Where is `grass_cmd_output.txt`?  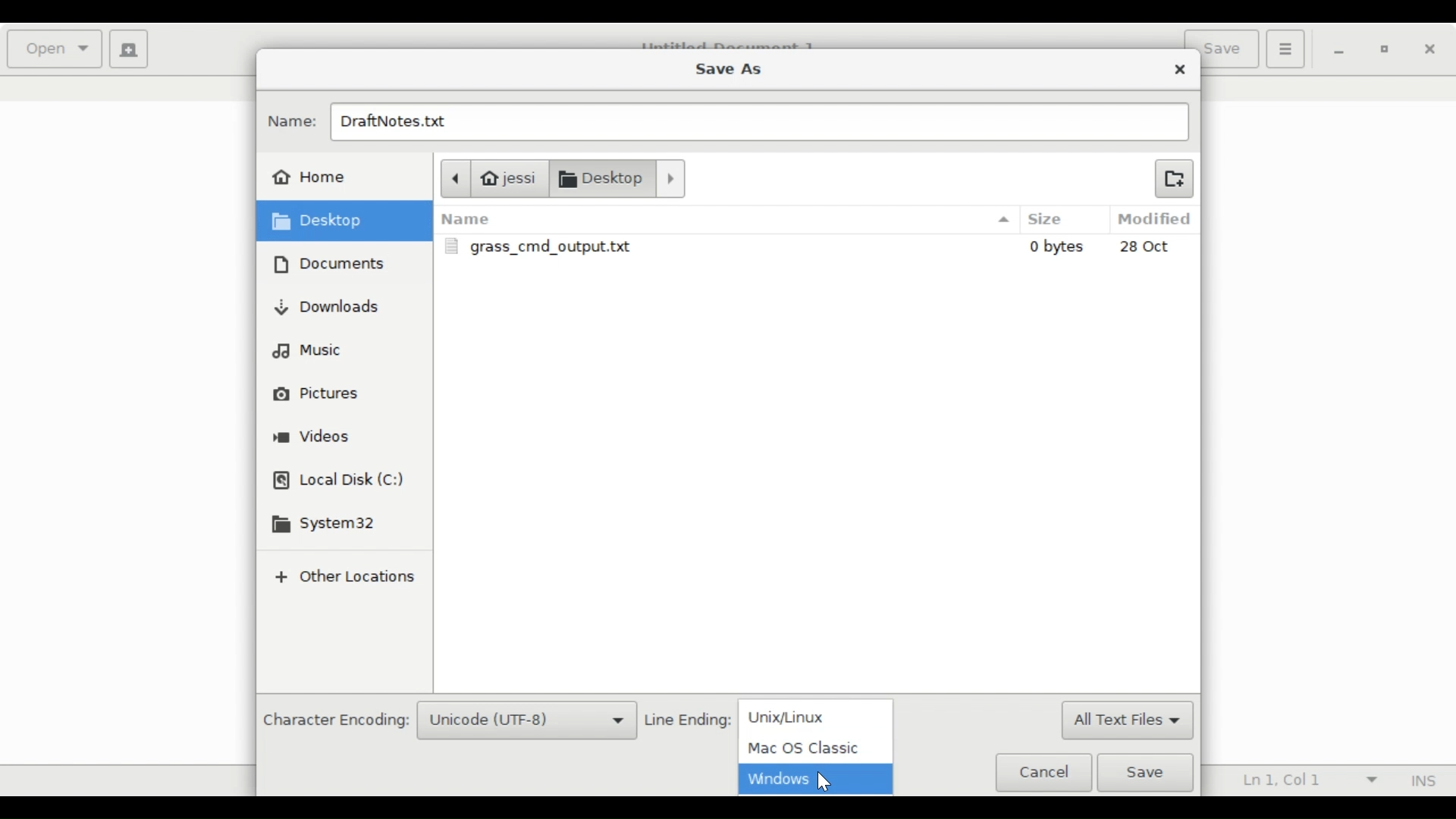 grass_cmd_output.txt is located at coordinates (818, 246).